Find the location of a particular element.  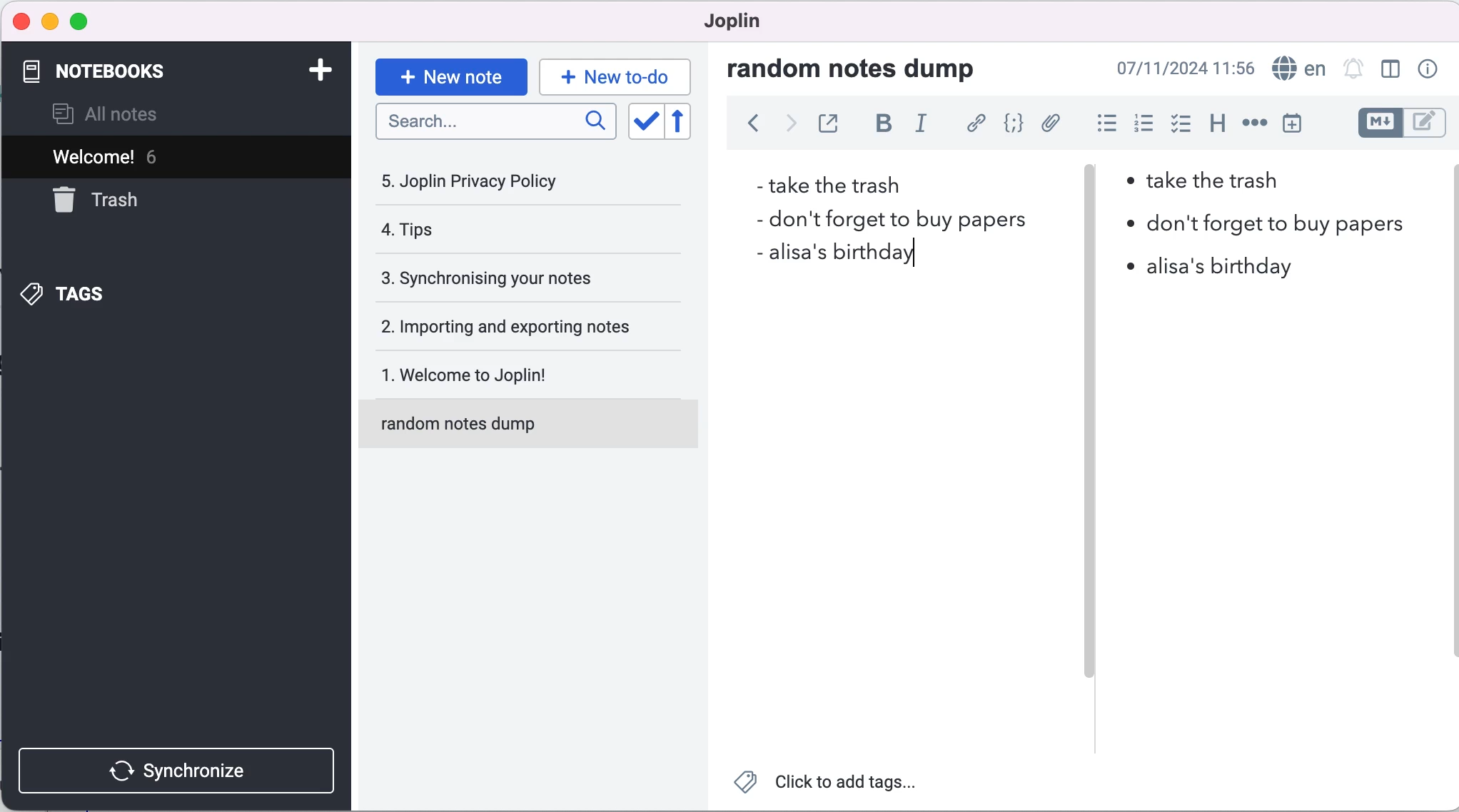

toggle editors is located at coordinates (1400, 125).